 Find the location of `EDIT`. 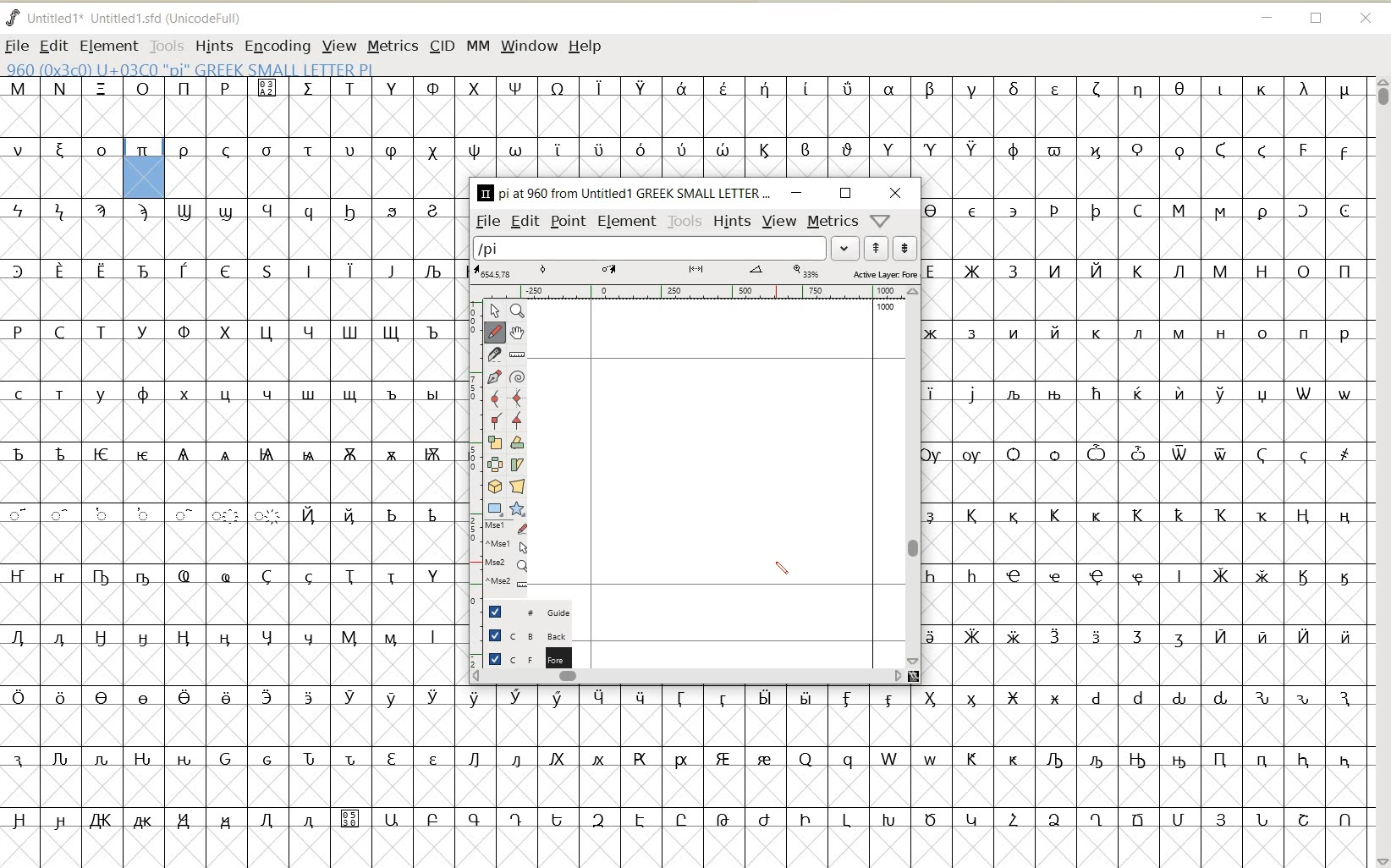

EDIT is located at coordinates (53, 46).